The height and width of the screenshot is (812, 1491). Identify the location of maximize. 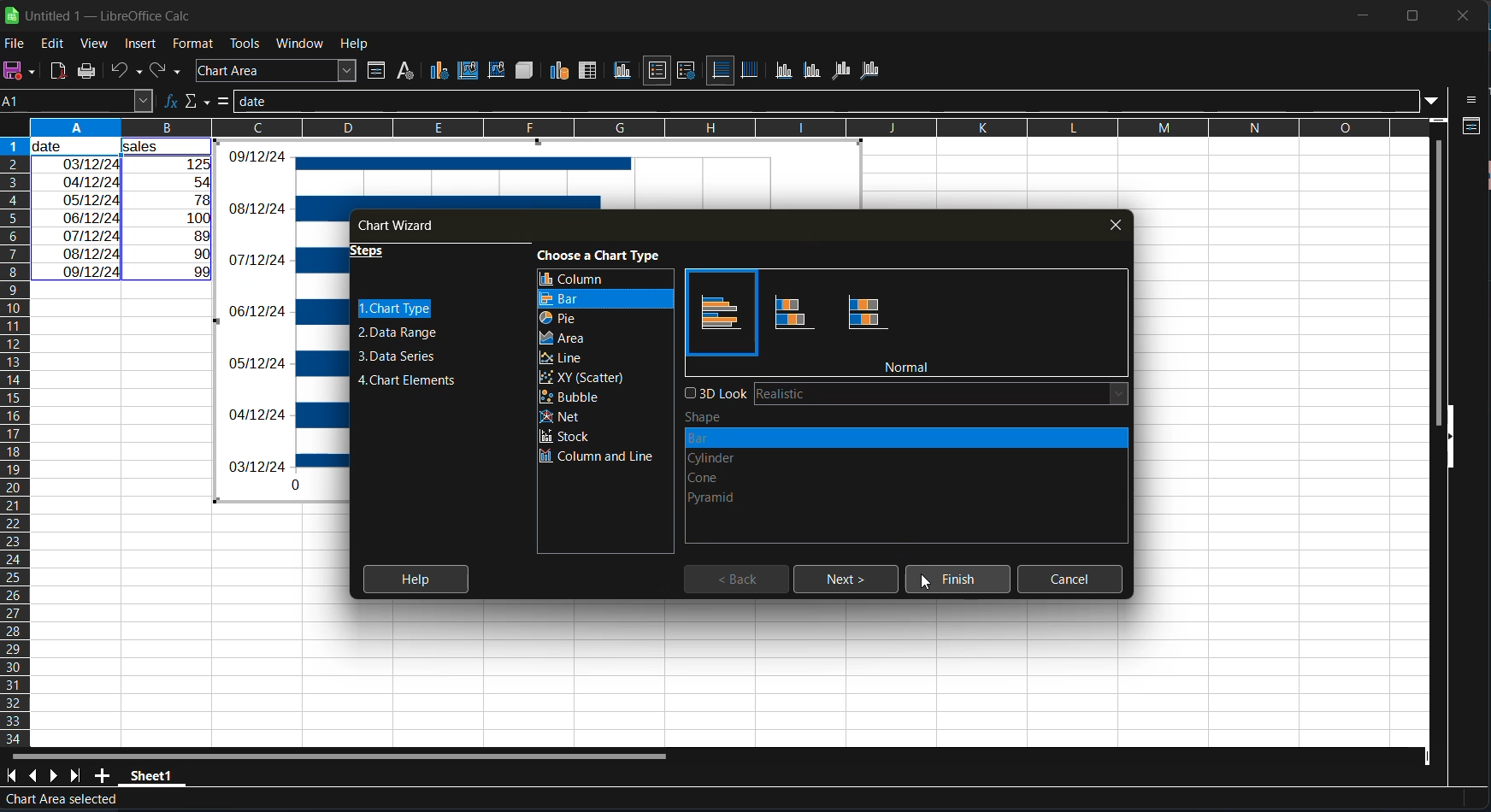
(1408, 15).